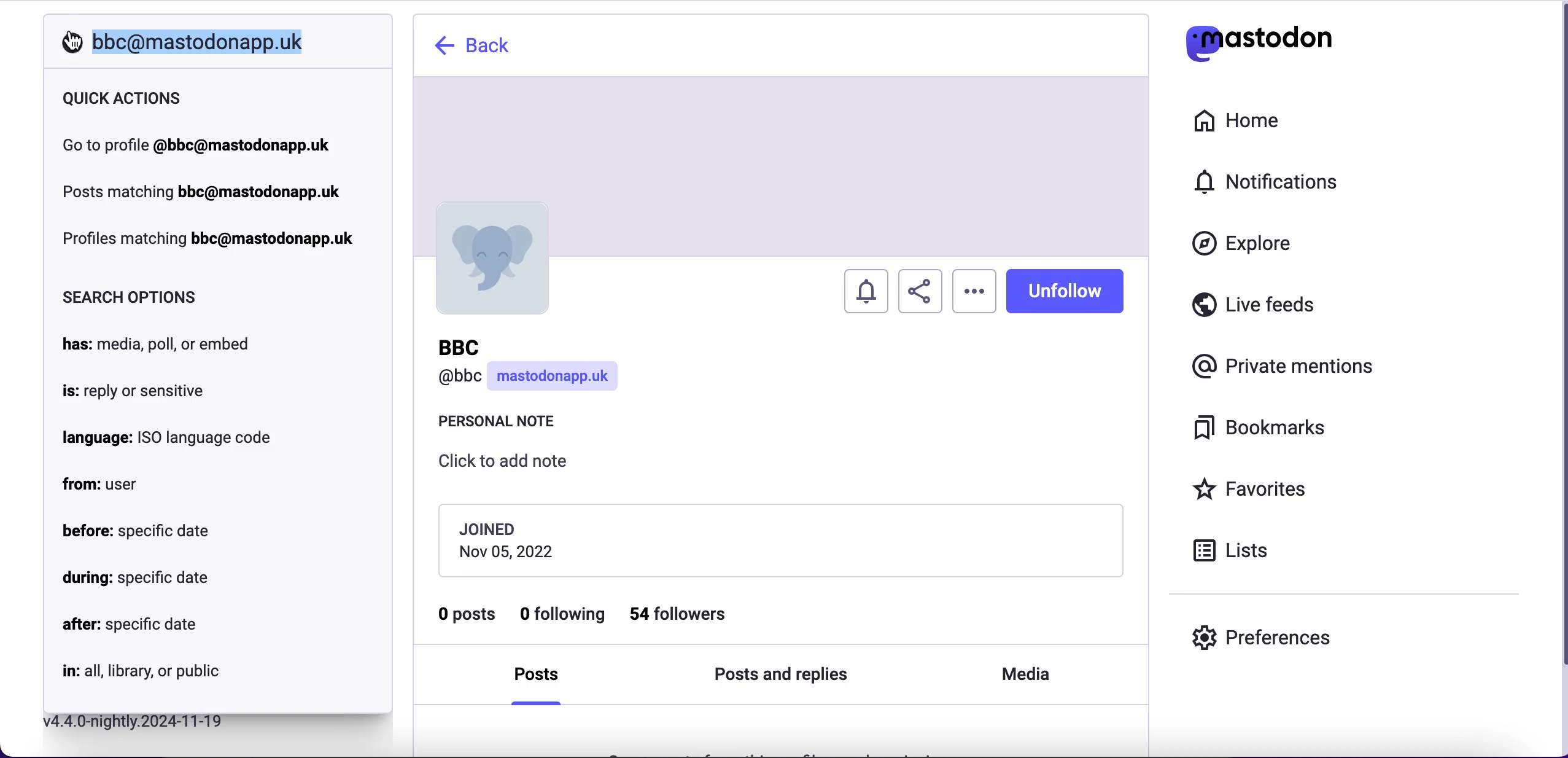  I want to click on 0 posts, so click(468, 619).